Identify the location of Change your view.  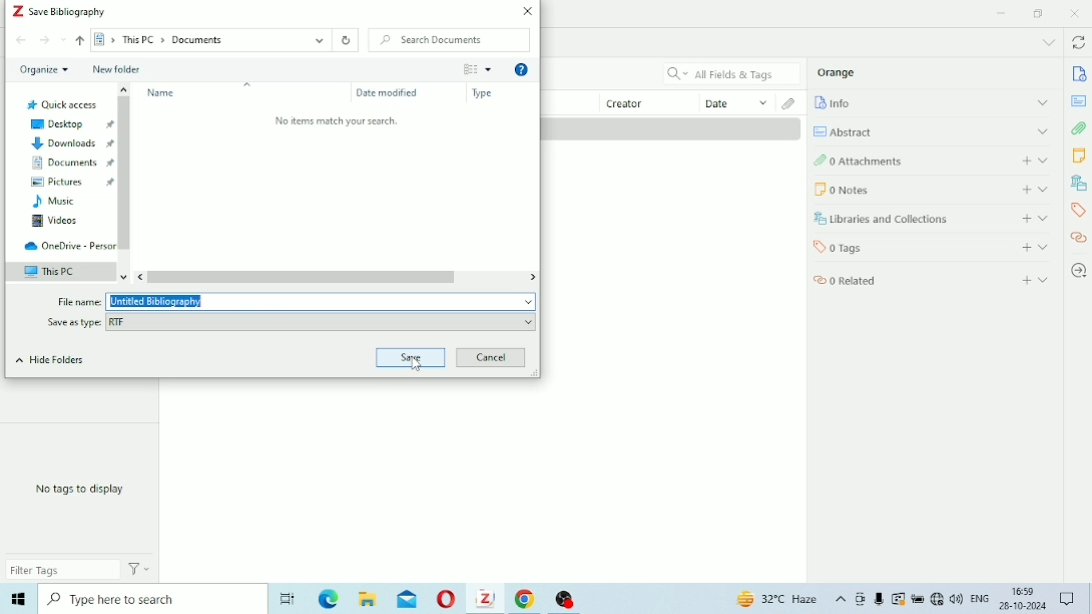
(470, 69).